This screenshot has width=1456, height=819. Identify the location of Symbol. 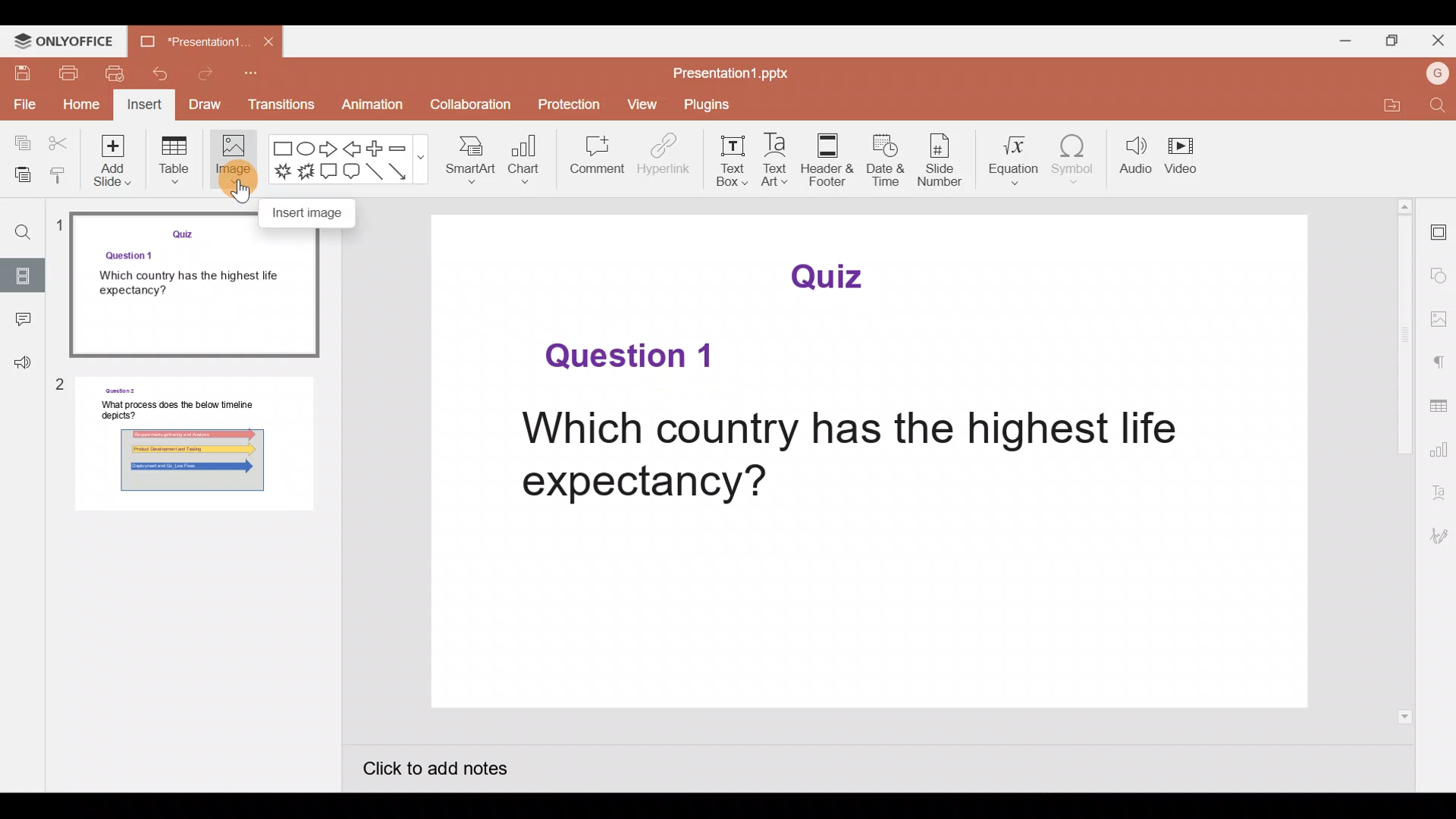
(1077, 158).